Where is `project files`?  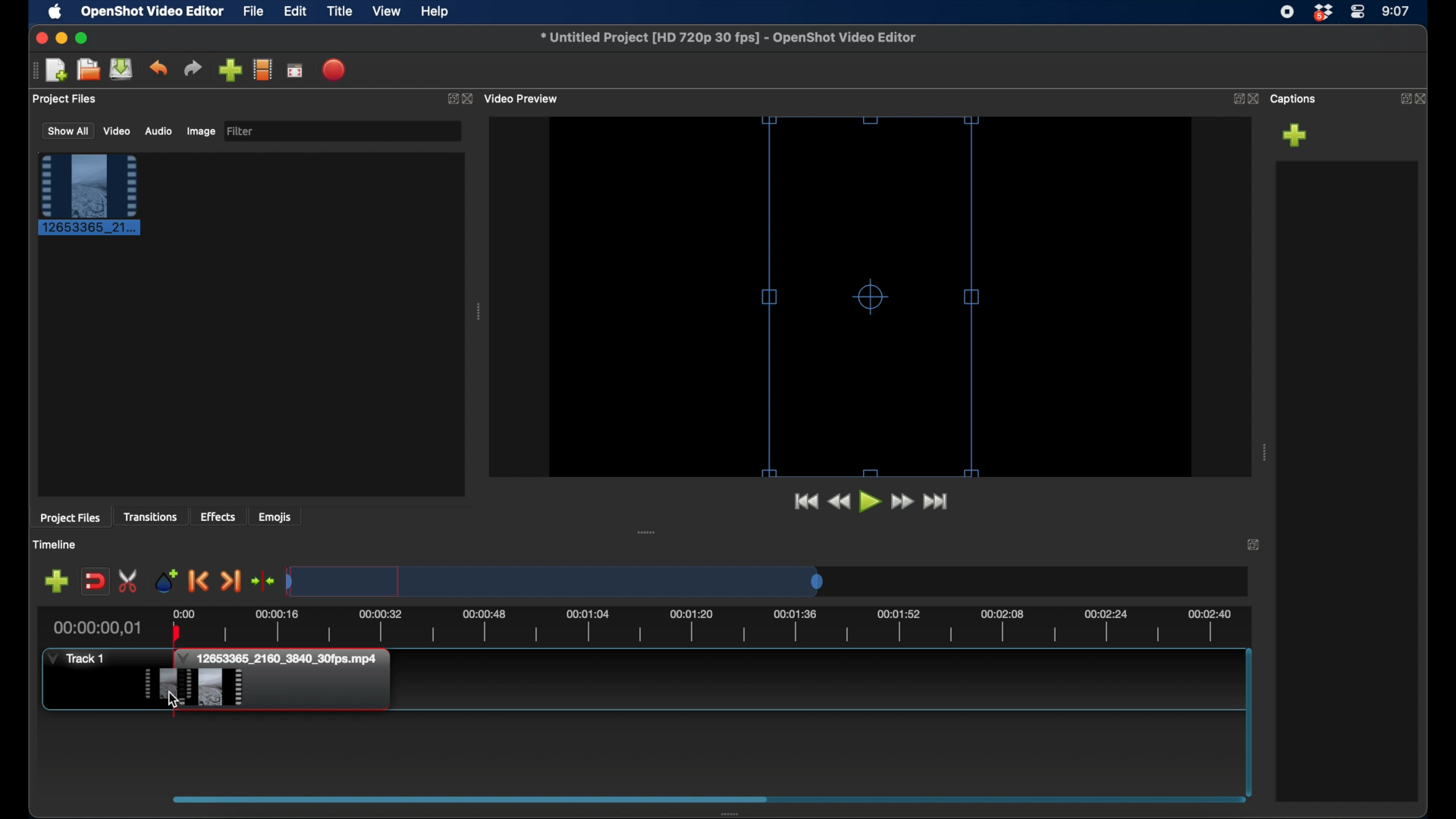 project files is located at coordinates (72, 519).